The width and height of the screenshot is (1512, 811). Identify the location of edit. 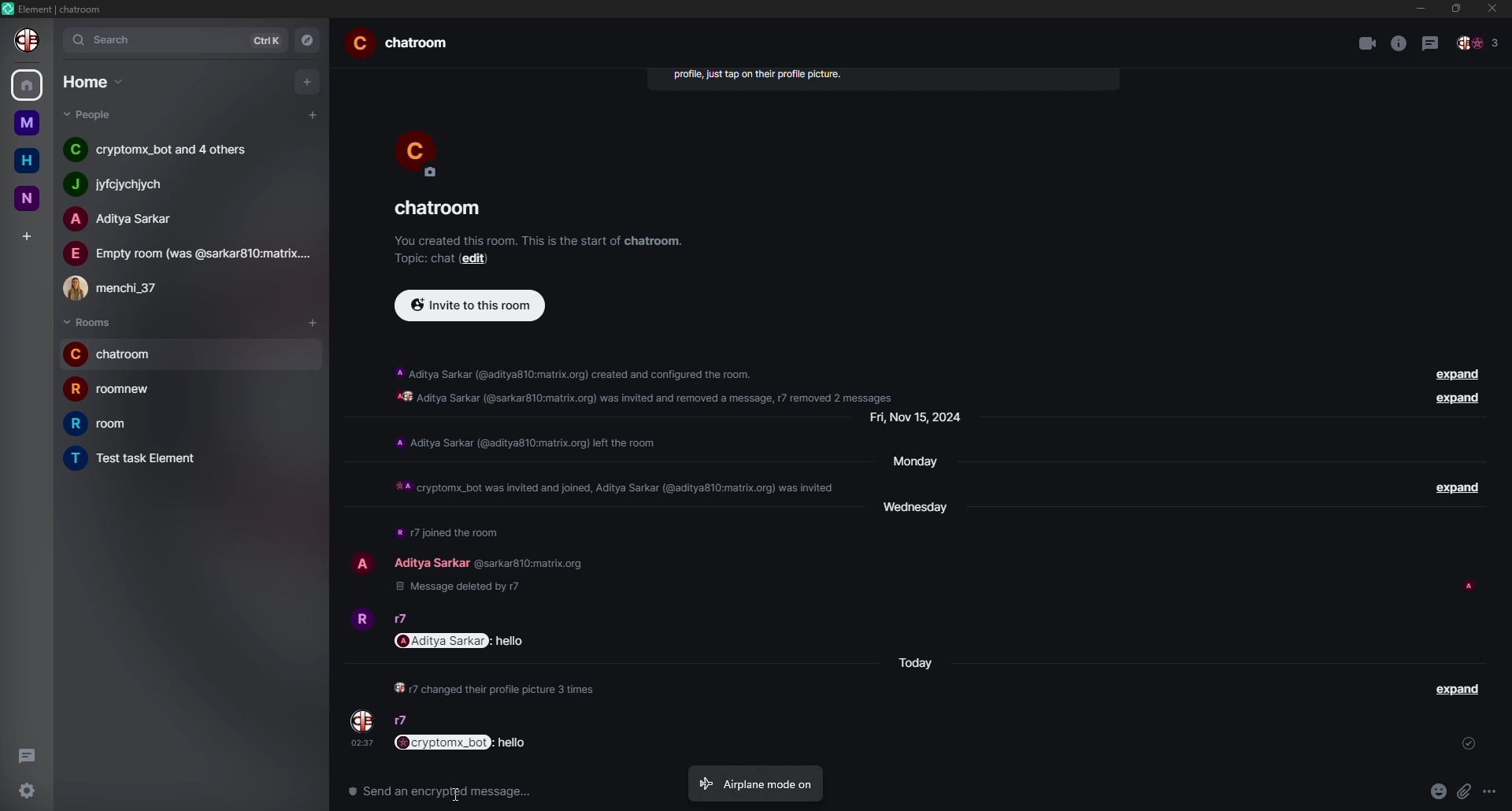
(477, 258).